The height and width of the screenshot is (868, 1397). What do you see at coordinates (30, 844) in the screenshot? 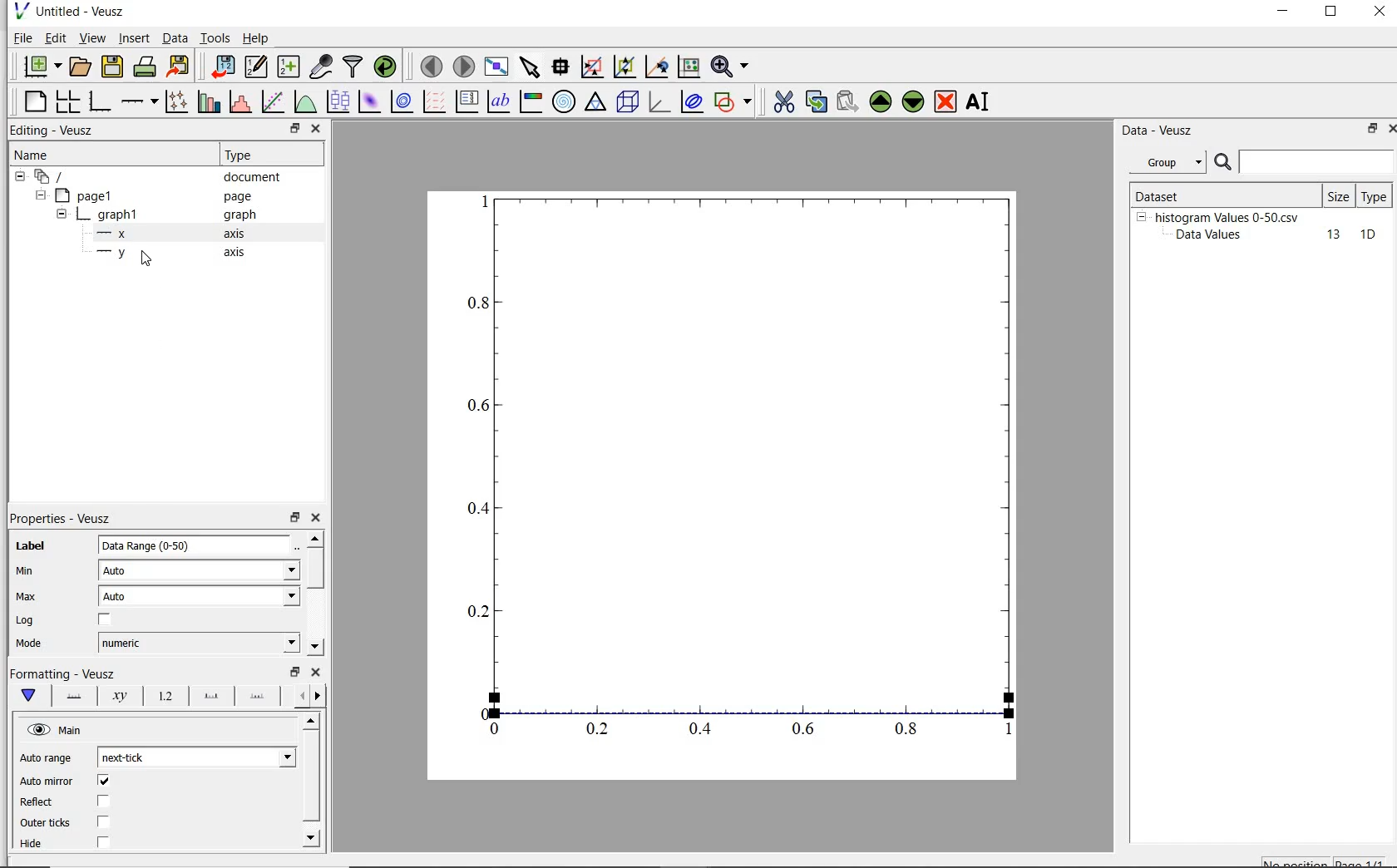
I see `| Hide` at bounding box center [30, 844].